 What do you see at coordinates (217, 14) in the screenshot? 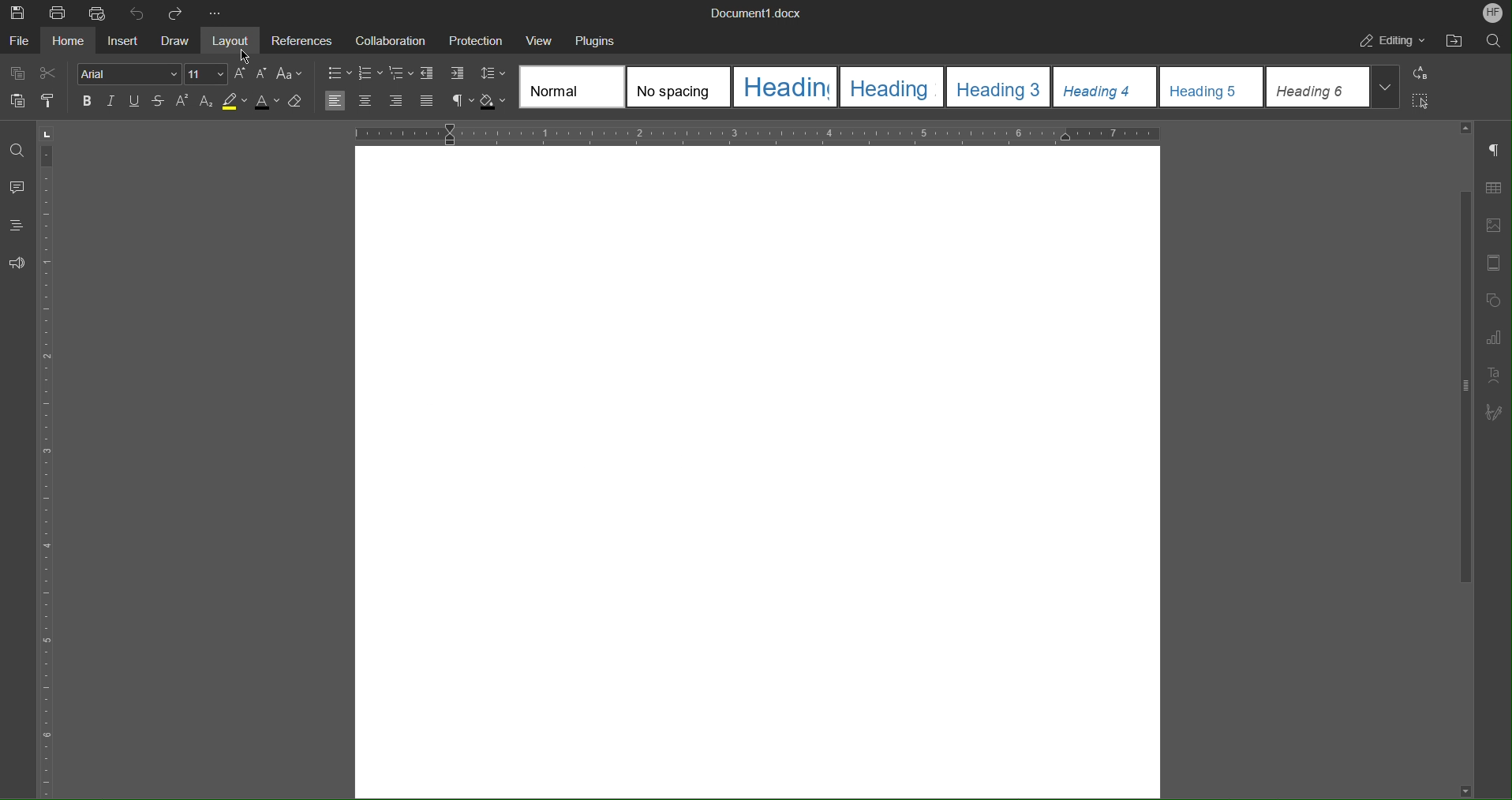
I see `More` at bounding box center [217, 14].